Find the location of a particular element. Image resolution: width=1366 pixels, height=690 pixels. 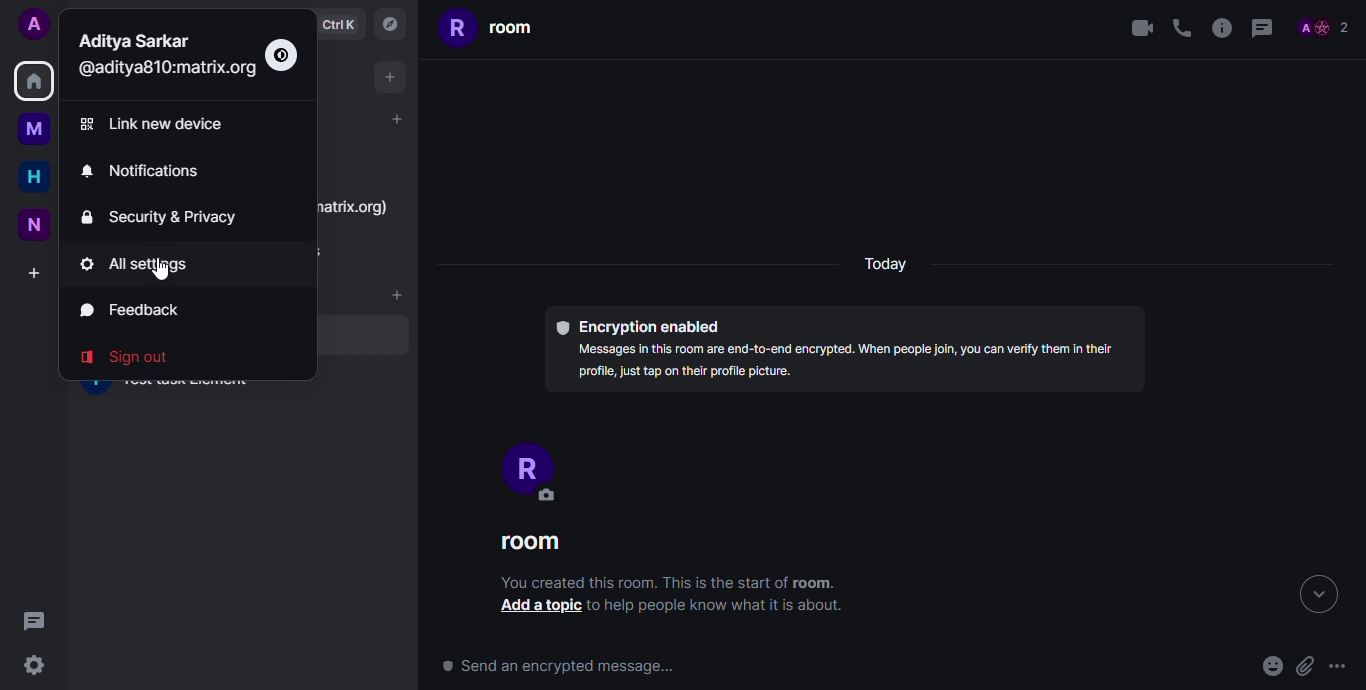

 is located at coordinates (354, 207).